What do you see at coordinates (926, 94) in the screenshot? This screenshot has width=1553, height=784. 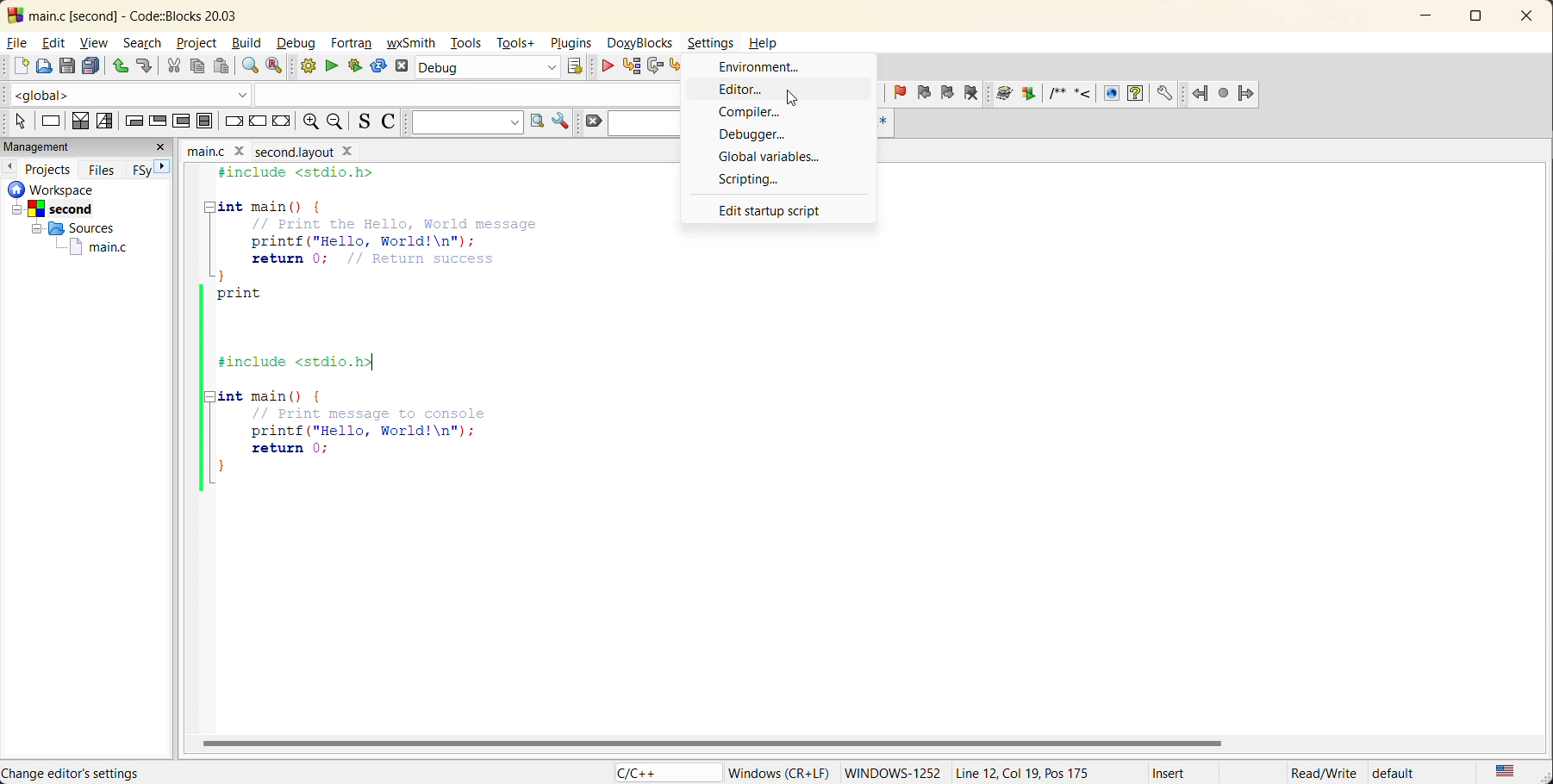 I see `previous bookmark` at bounding box center [926, 94].